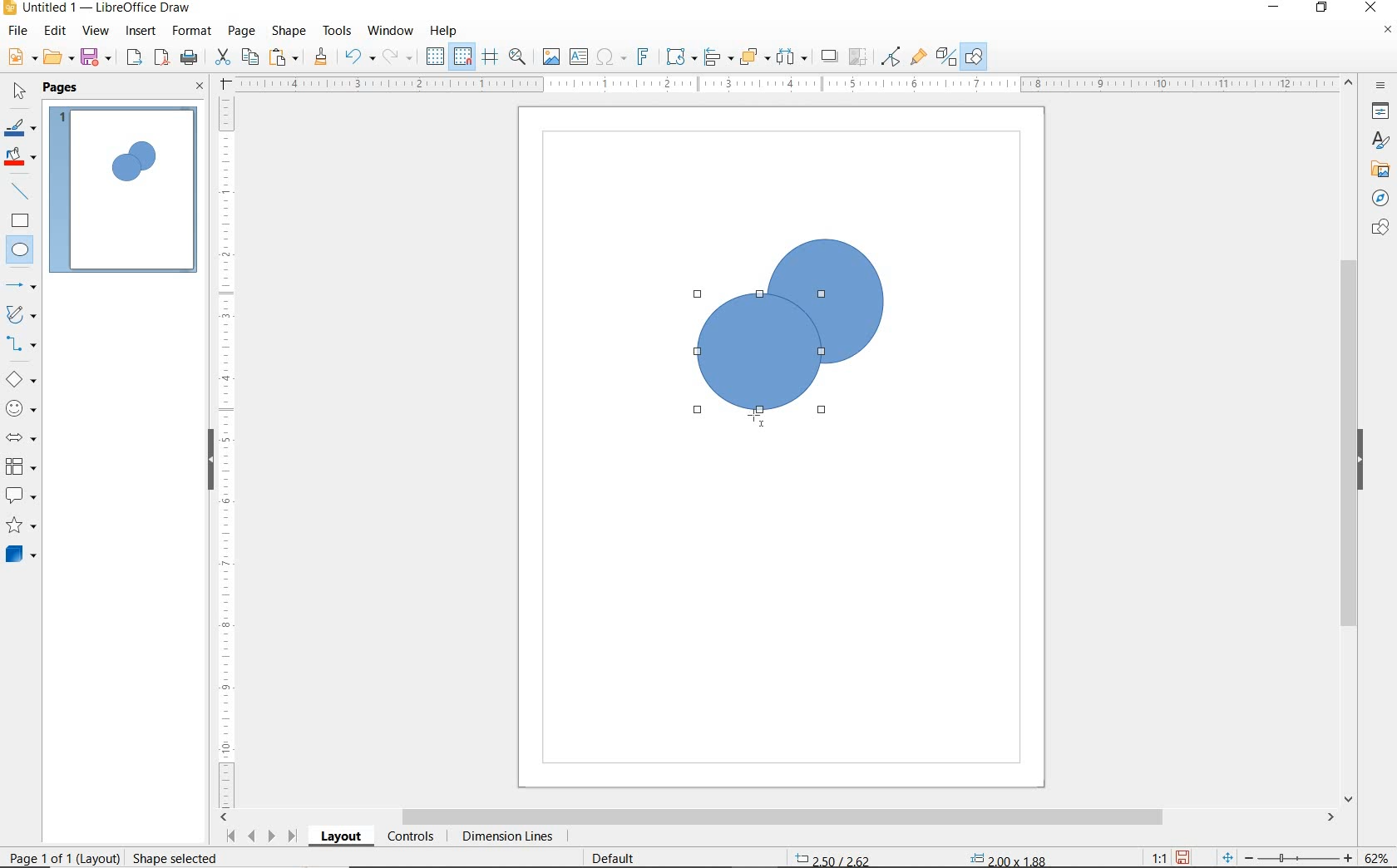  What do you see at coordinates (857, 57) in the screenshot?
I see `CROP IMAGE` at bounding box center [857, 57].